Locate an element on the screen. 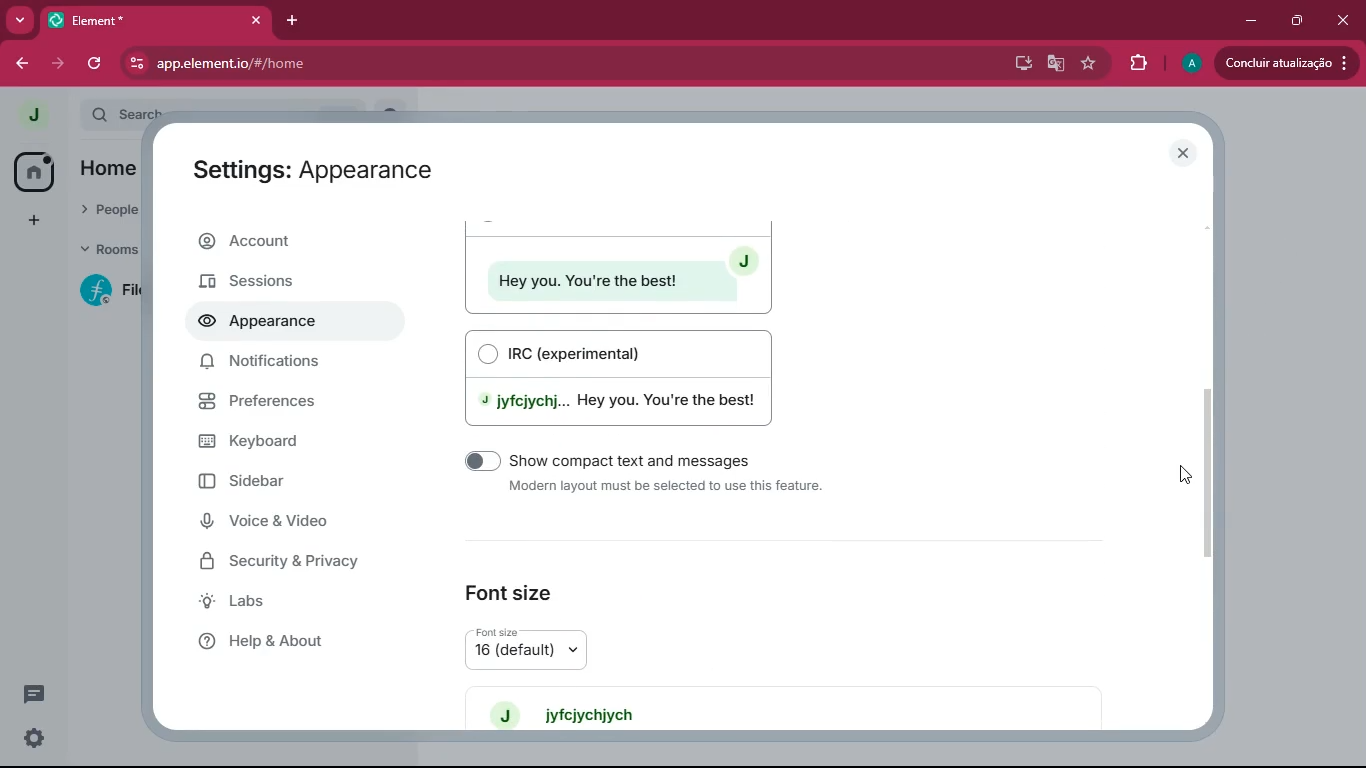  modern is located at coordinates (617, 266).